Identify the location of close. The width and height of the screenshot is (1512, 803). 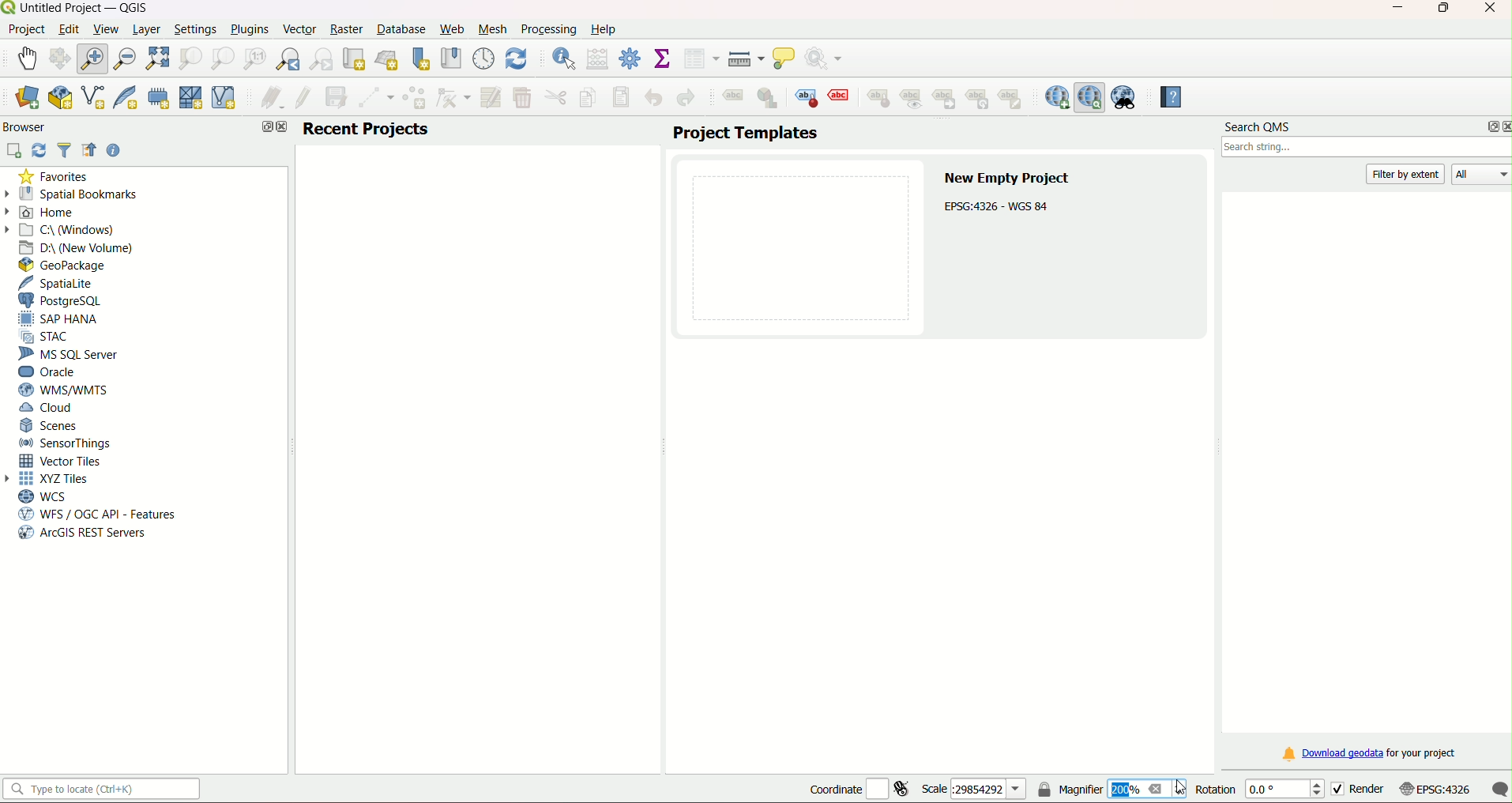
(282, 128).